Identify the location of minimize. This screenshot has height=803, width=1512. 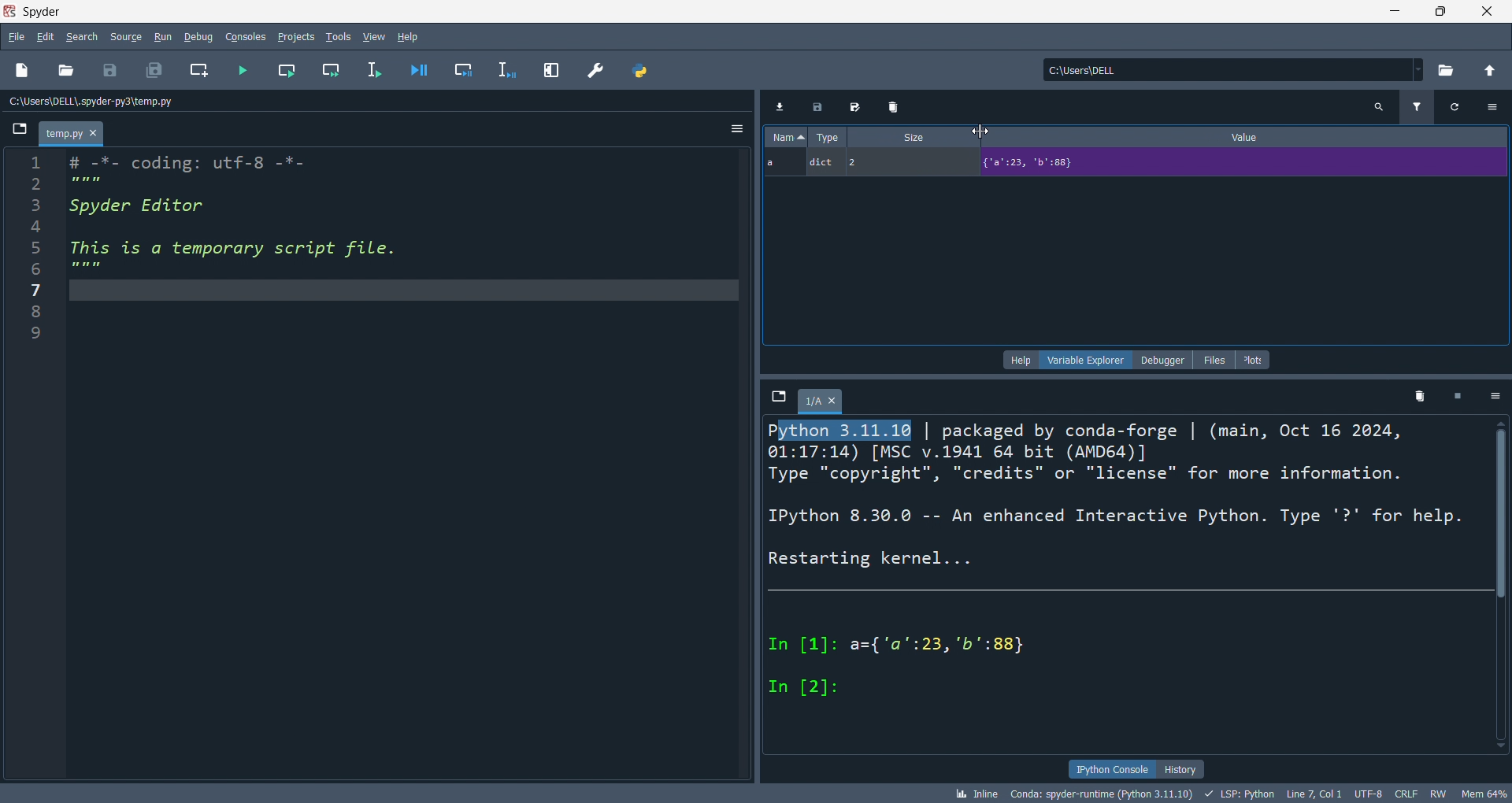
(1401, 12).